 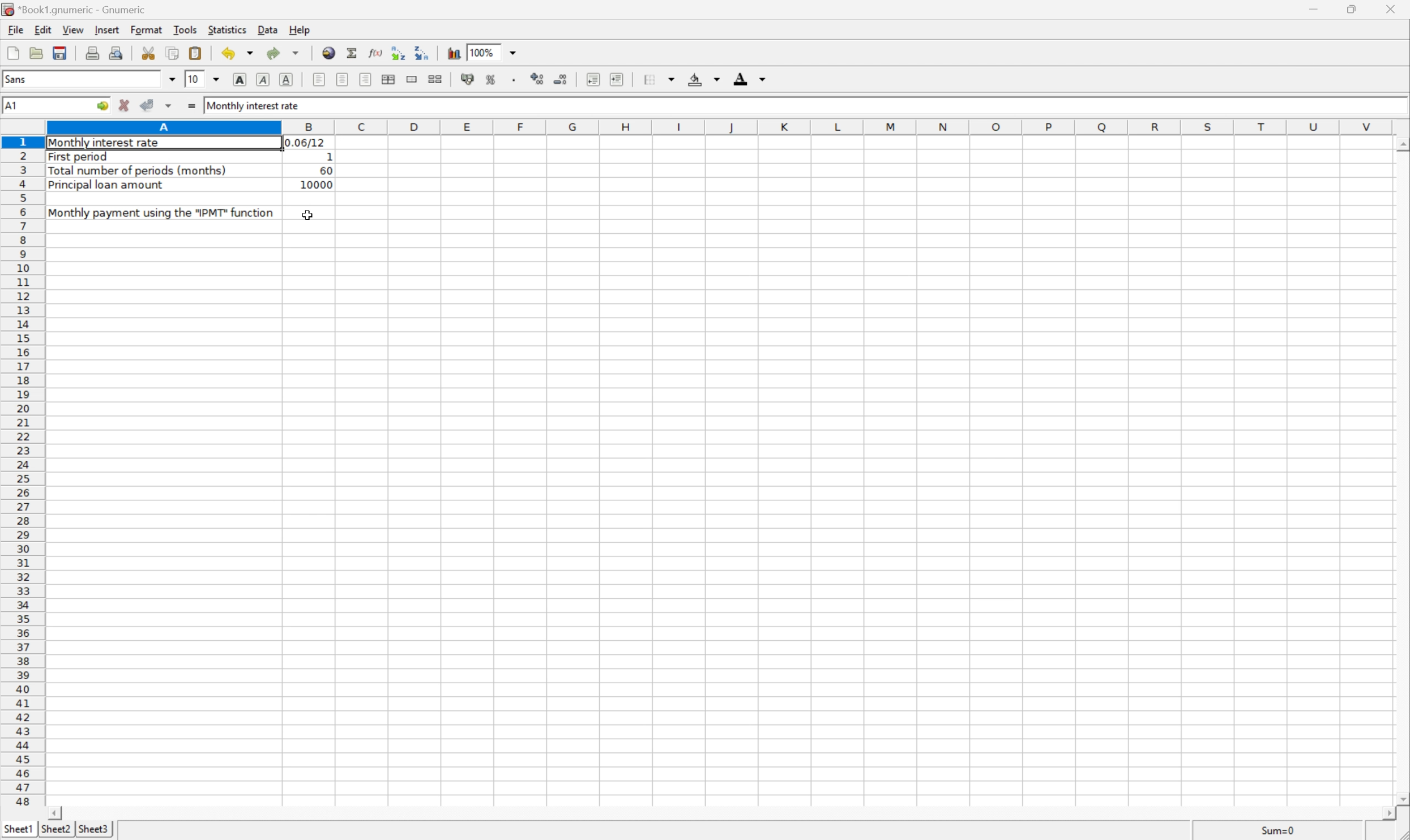 I want to click on *Book1.gnumeric - Gnumeric, so click(x=79, y=9).